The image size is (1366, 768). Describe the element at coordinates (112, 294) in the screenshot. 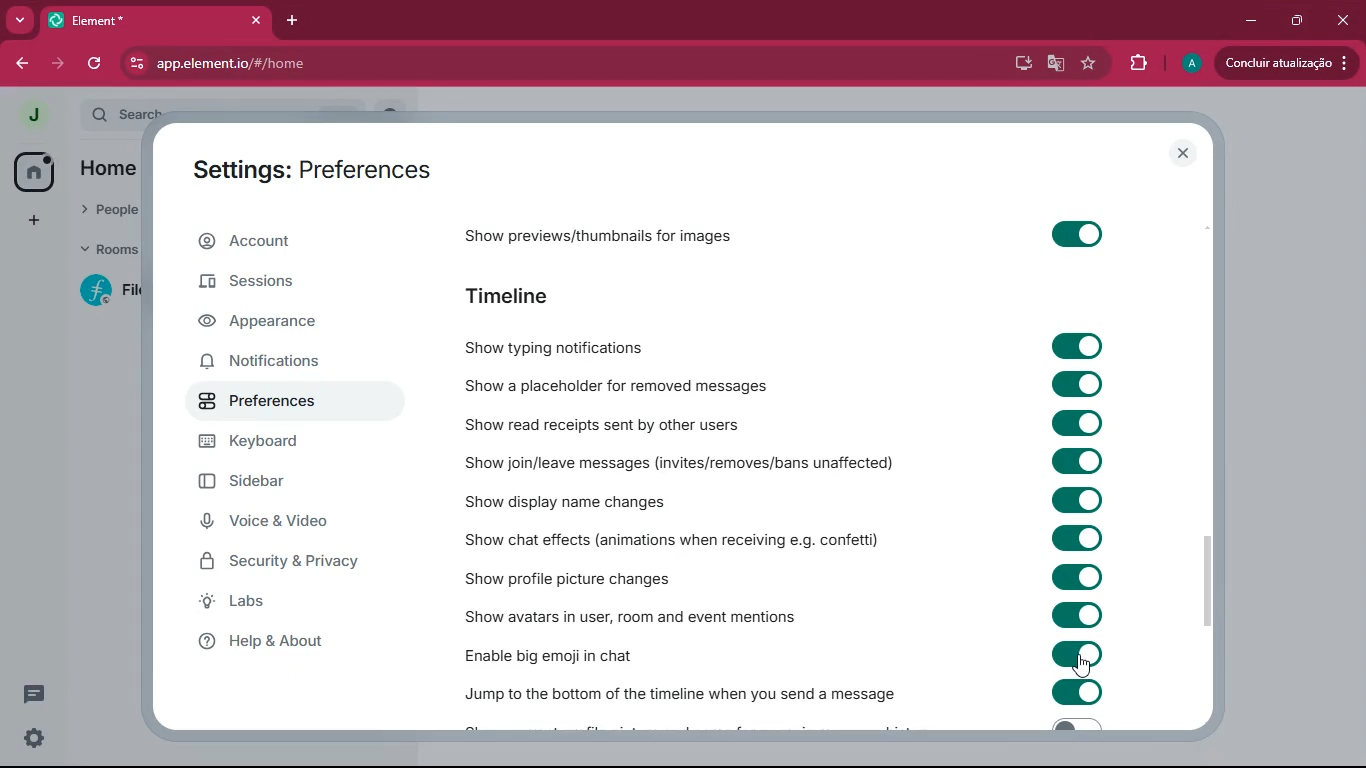

I see `f file` at that location.